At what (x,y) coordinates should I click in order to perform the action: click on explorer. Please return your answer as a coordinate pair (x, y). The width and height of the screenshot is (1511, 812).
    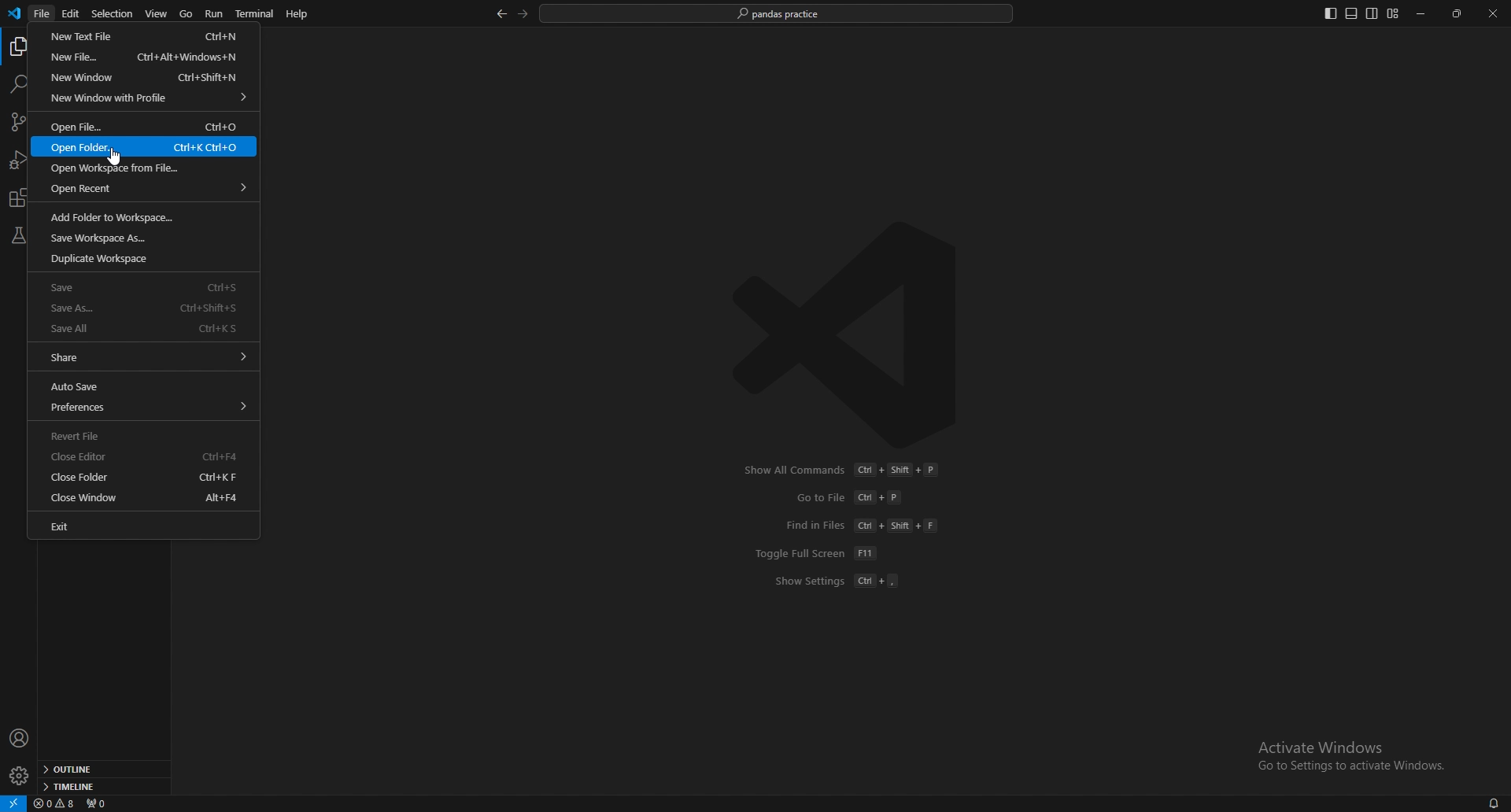
    Looking at the image, I should click on (20, 47).